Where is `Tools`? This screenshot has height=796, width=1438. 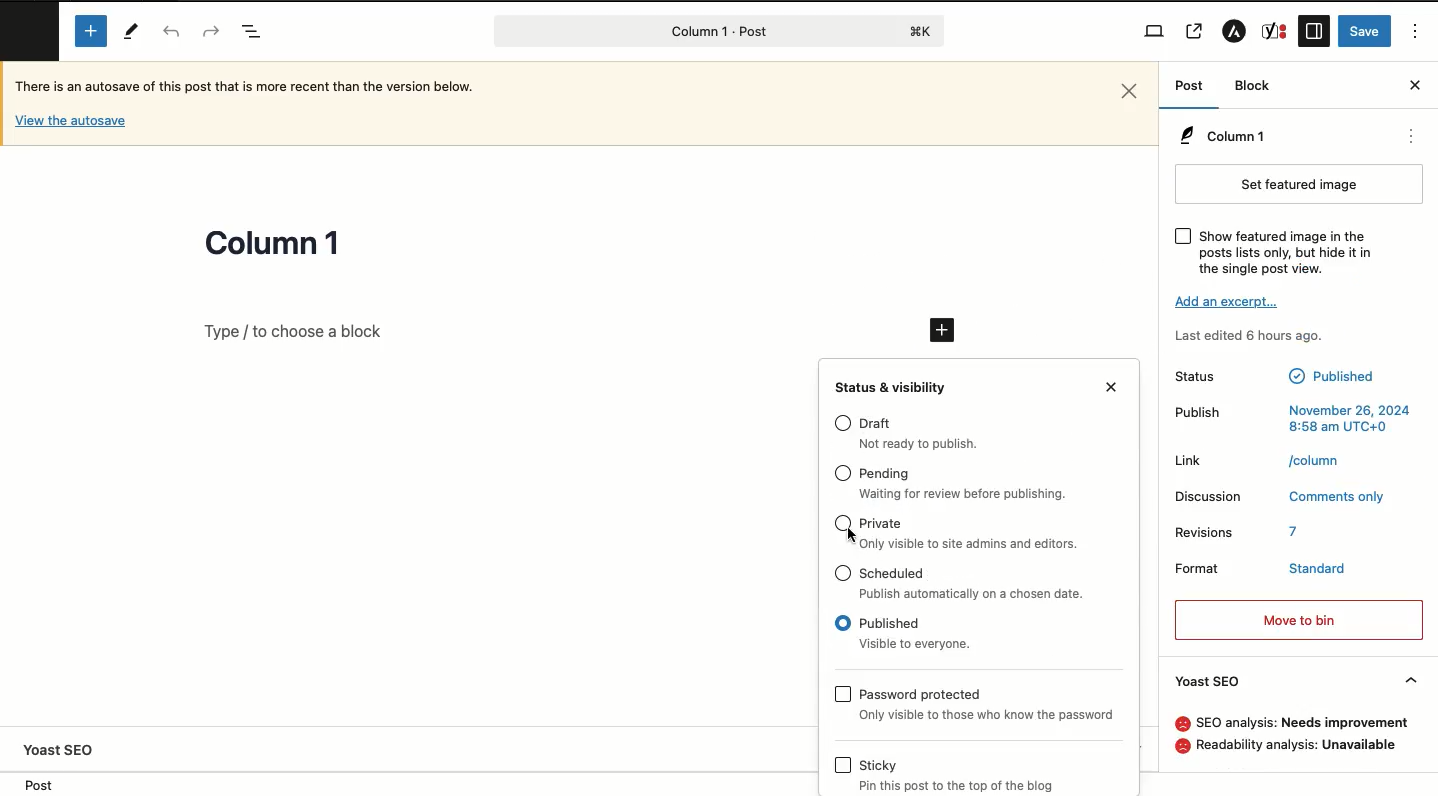
Tools is located at coordinates (134, 34).